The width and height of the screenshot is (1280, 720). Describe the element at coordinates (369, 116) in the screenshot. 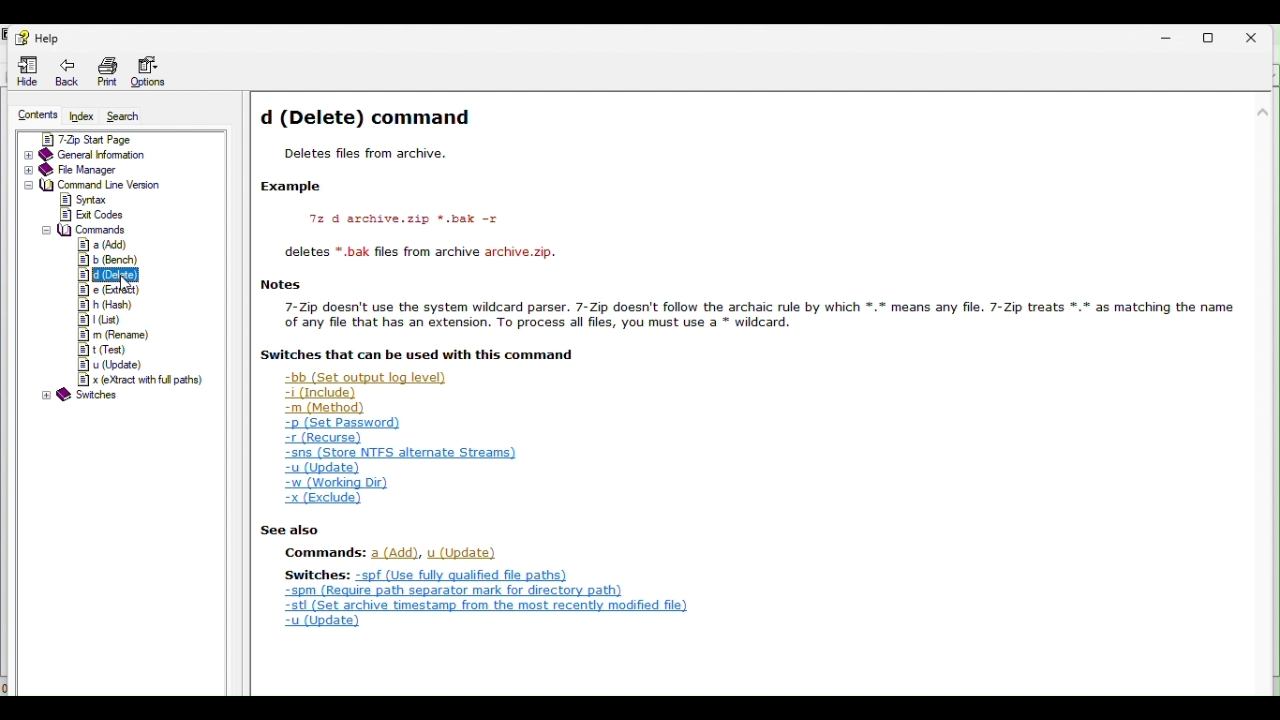

I see `d (Delete) command` at that location.